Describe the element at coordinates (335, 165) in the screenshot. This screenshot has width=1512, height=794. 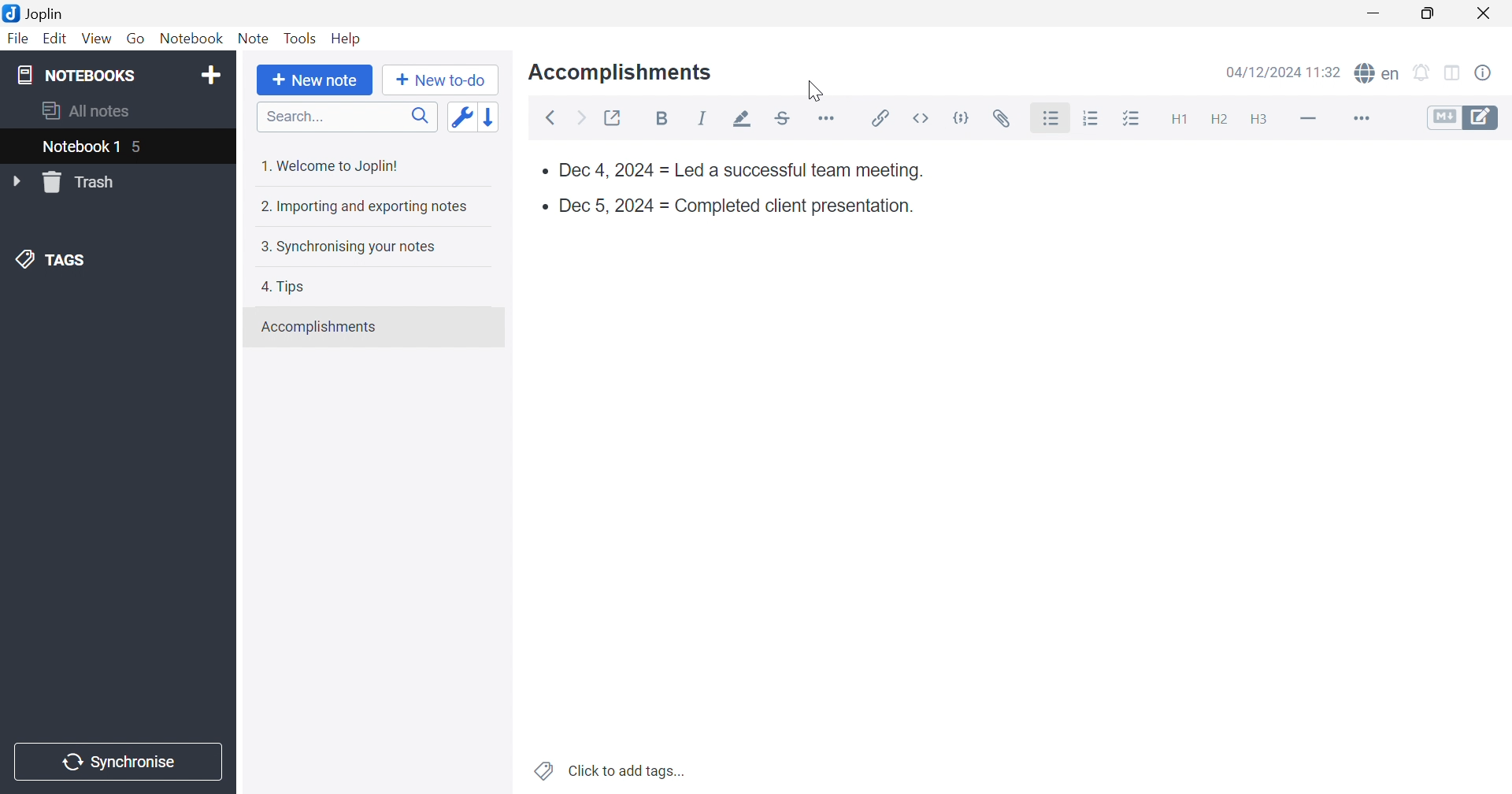
I see `1. Welcome to Joplin!` at that location.